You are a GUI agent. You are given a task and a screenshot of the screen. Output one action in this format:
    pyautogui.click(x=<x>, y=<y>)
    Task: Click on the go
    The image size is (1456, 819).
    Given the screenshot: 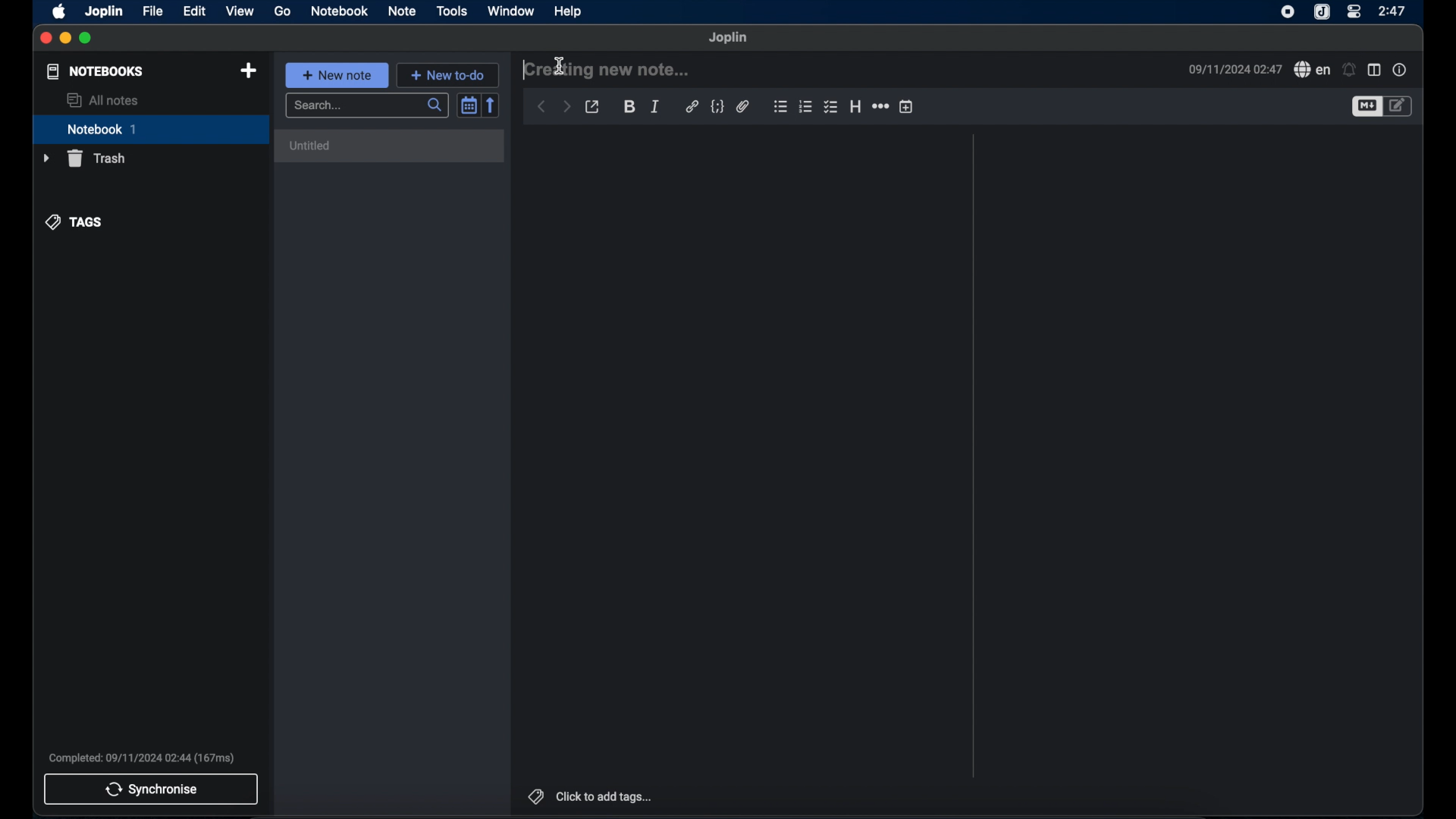 What is the action you would take?
    pyautogui.click(x=283, y=12)
    